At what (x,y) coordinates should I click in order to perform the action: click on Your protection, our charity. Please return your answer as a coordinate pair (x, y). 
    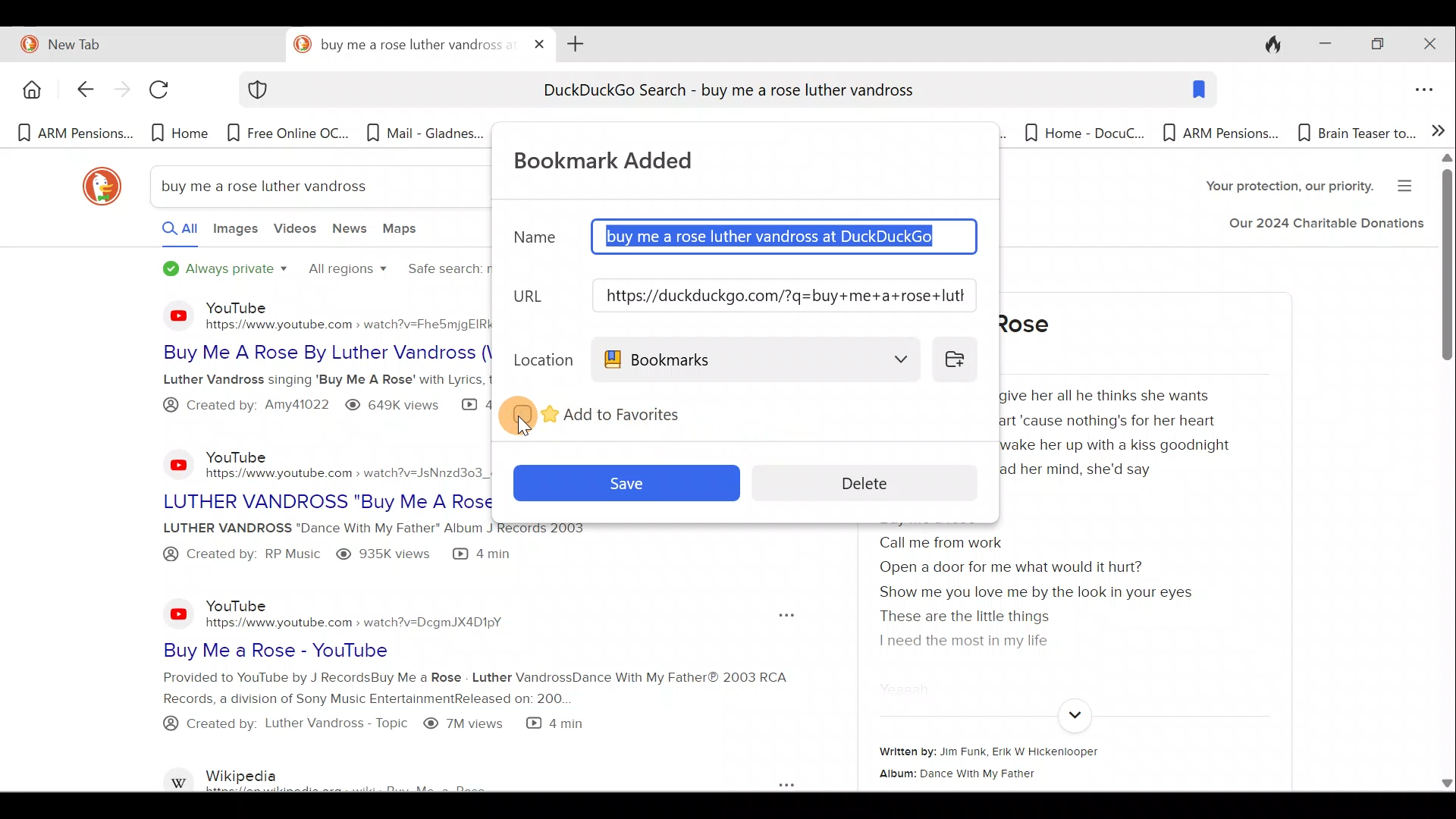
    Looking at the image, I should click on (1276, 188).